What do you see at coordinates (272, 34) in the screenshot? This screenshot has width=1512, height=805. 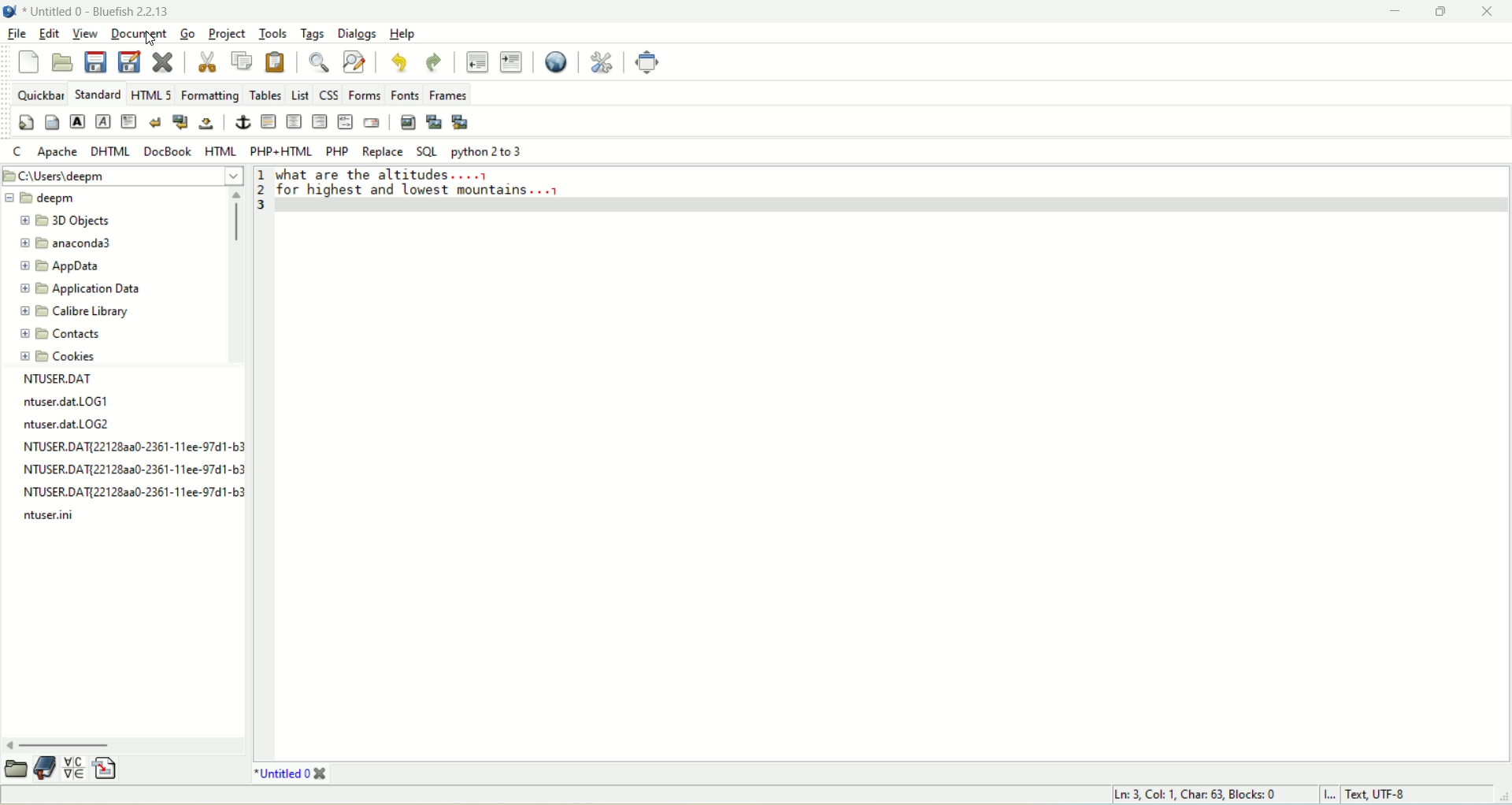 I see `tools` at bounding box center [272, 34].